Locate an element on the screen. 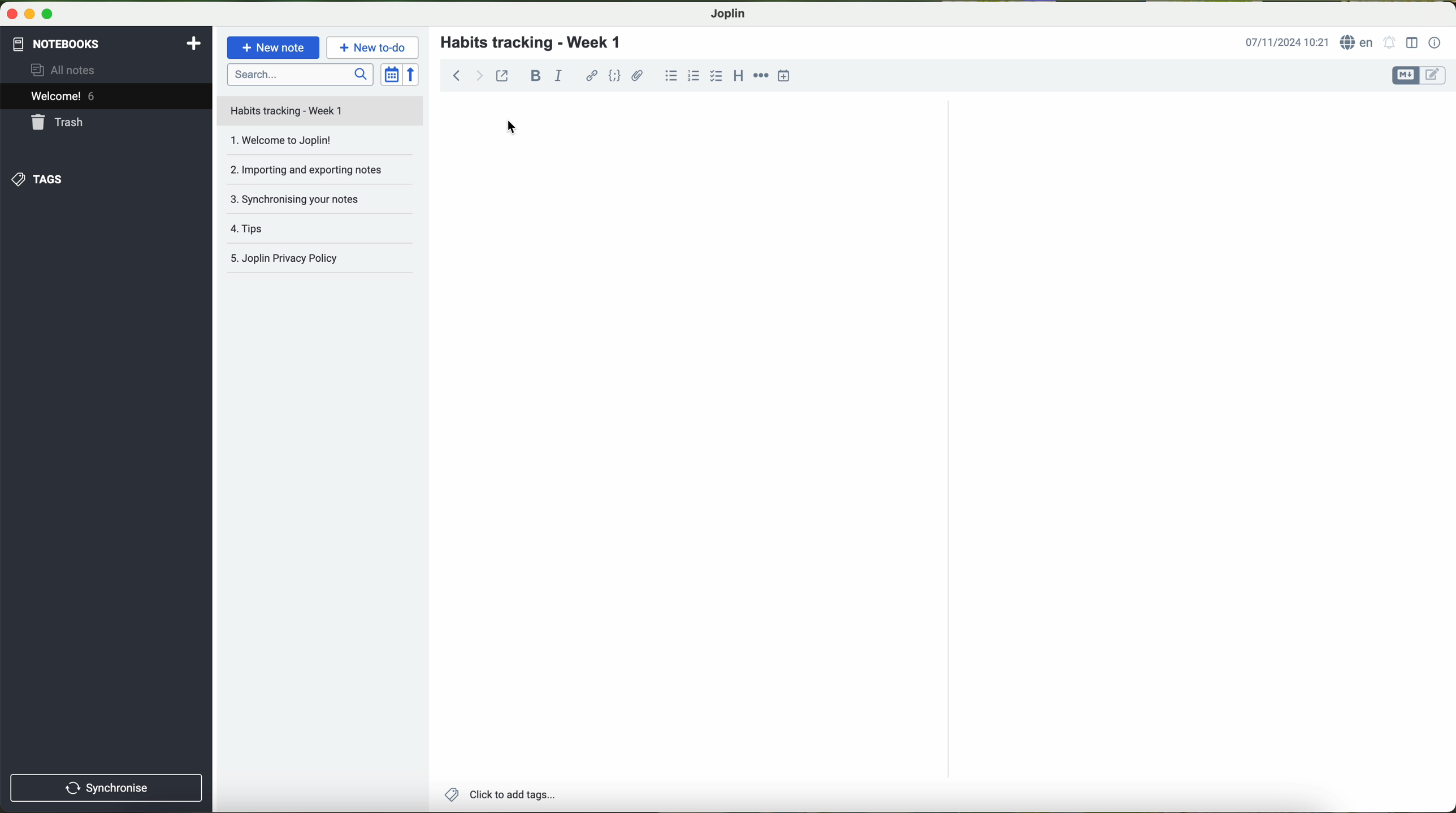 This screenshot has height=813, width=1456. habits tracking - week 1 is located at coordinates (538, 43).